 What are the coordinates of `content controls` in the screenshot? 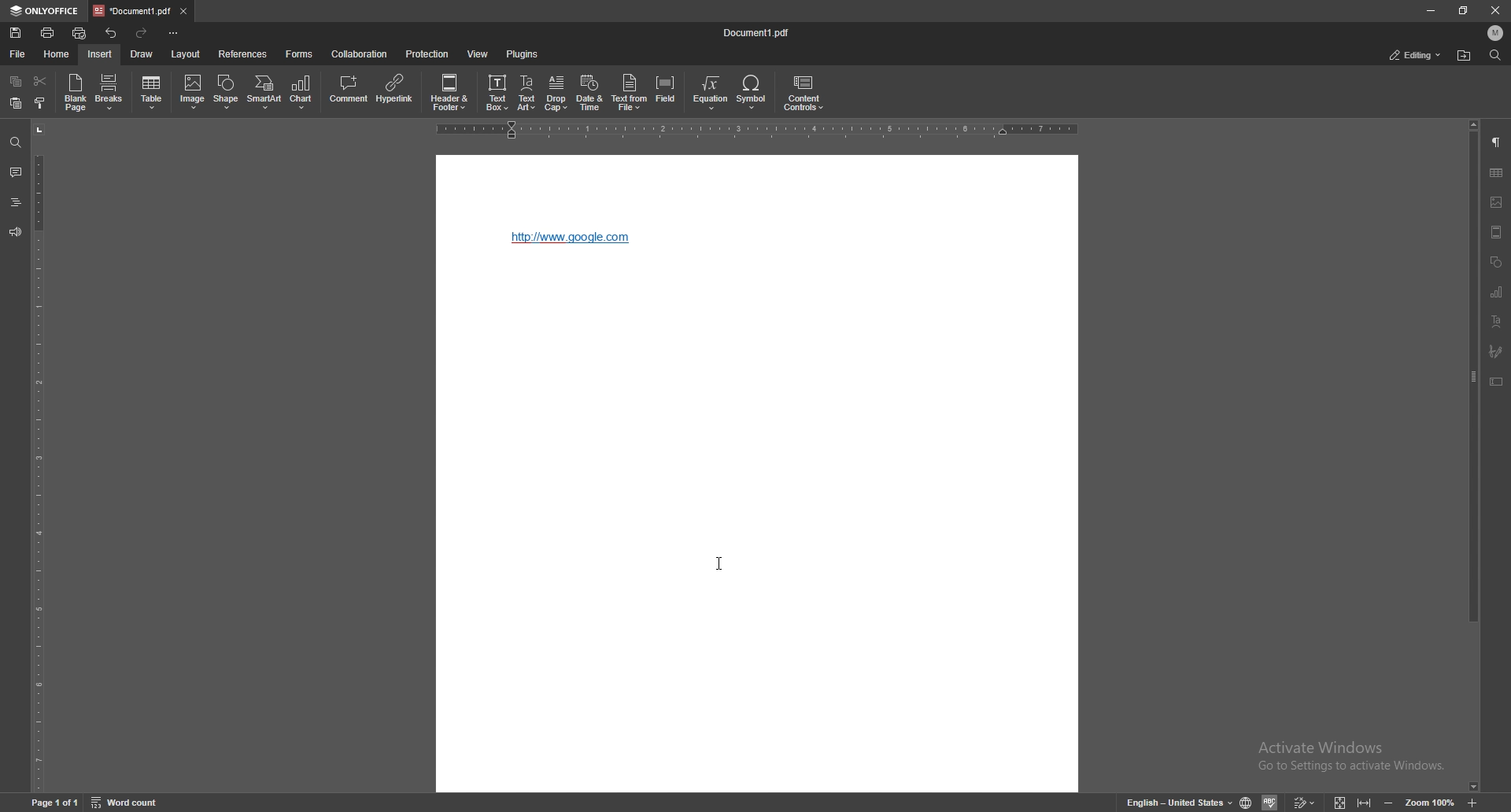 It's located at (804, 92).